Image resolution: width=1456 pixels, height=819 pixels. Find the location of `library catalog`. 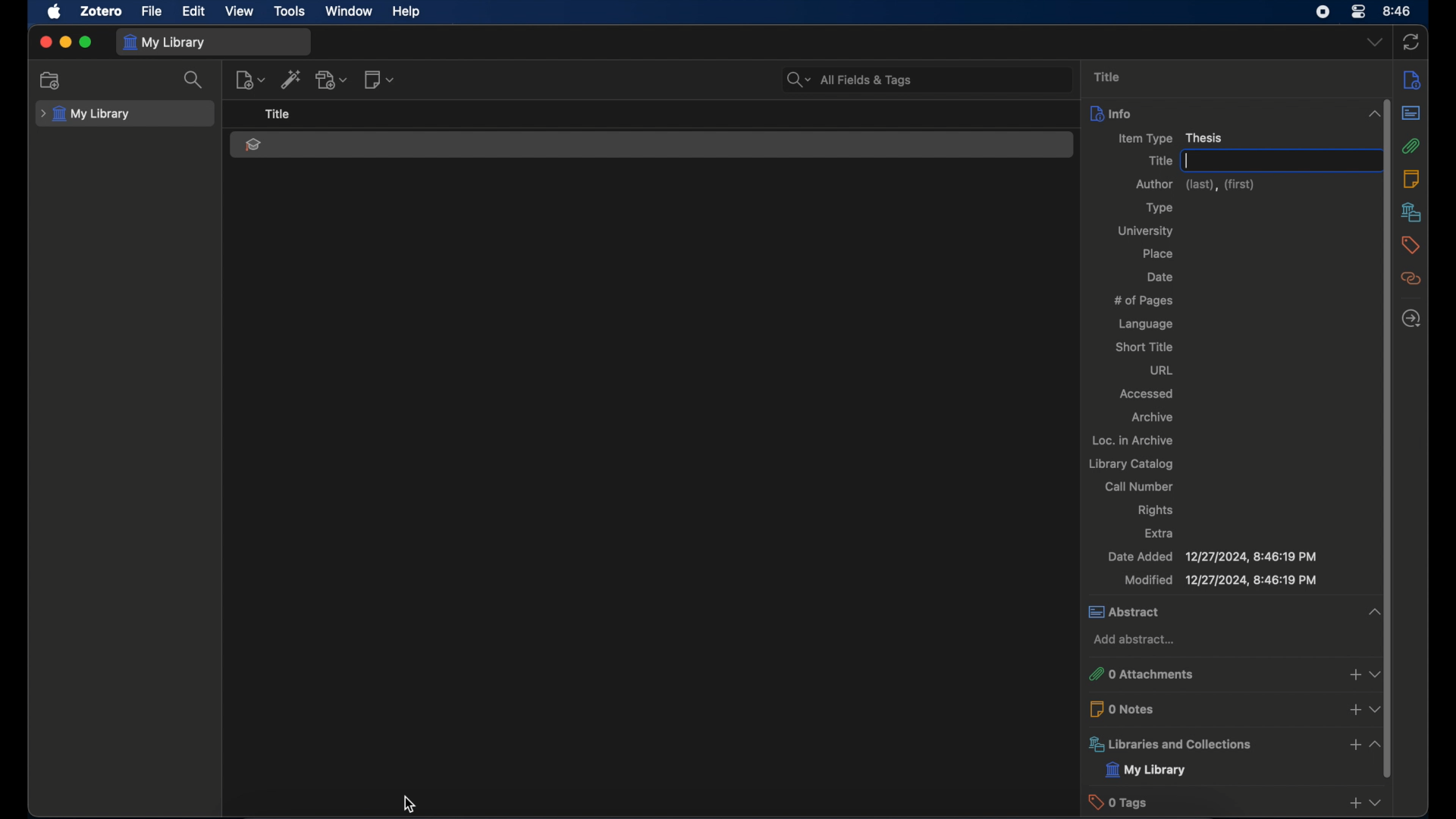

library catalog is located at coordinates (1130, 464).